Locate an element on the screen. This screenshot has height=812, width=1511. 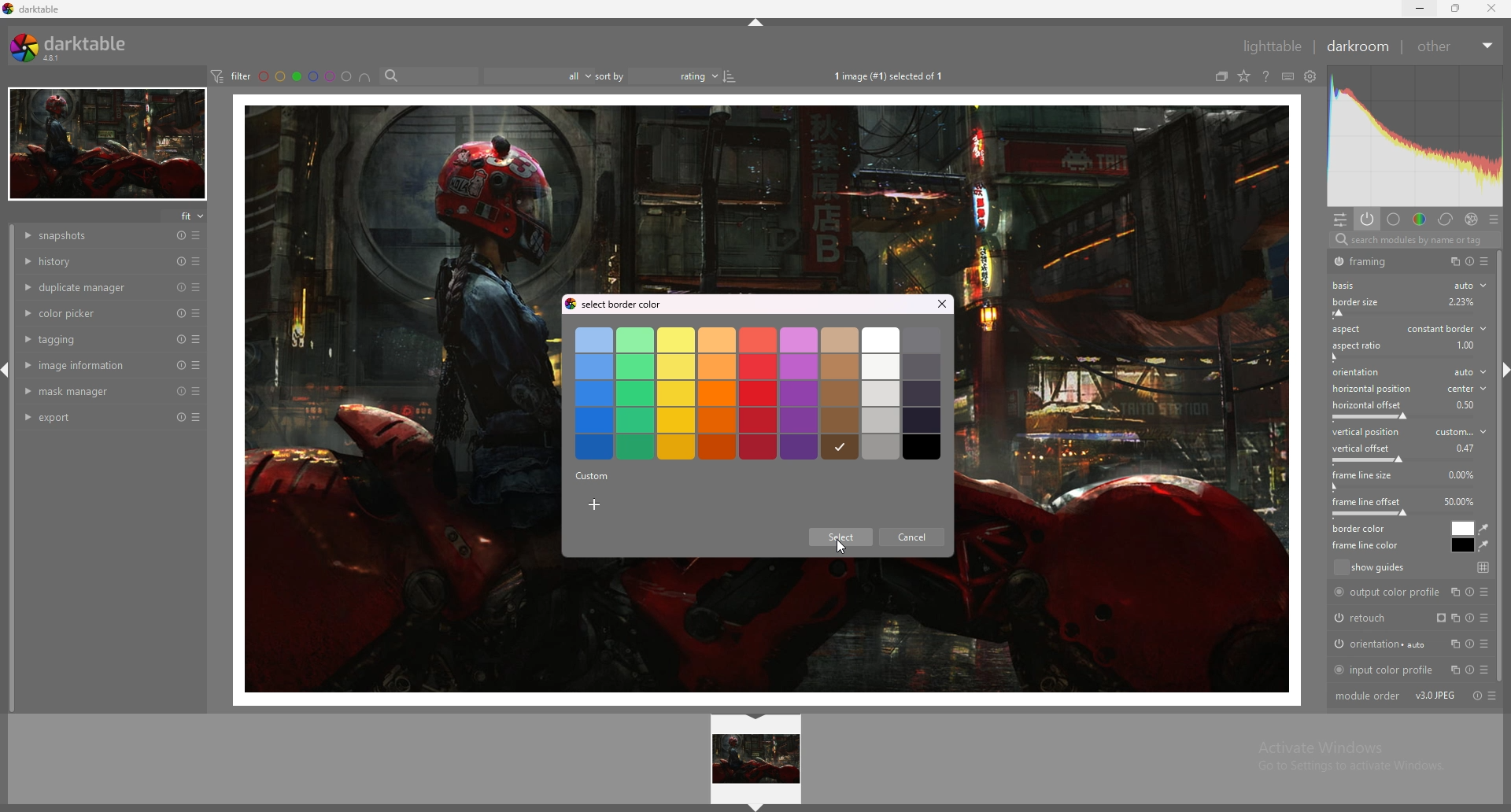
presets is located at coordinates (198, 235).